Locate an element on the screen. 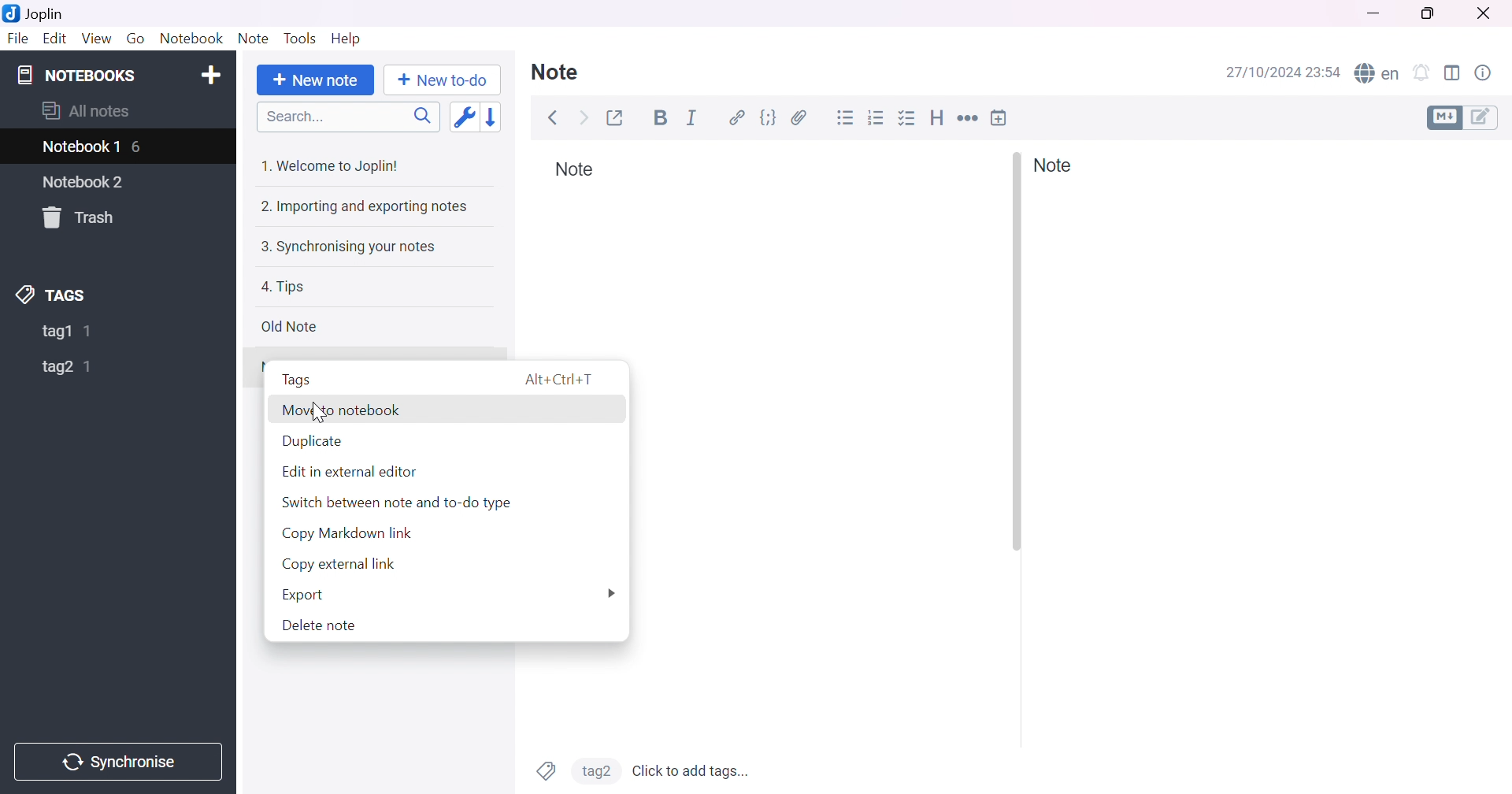 This screenshot has height=794, width=1512. Toggle editors is located at coordinates (1466, 117).